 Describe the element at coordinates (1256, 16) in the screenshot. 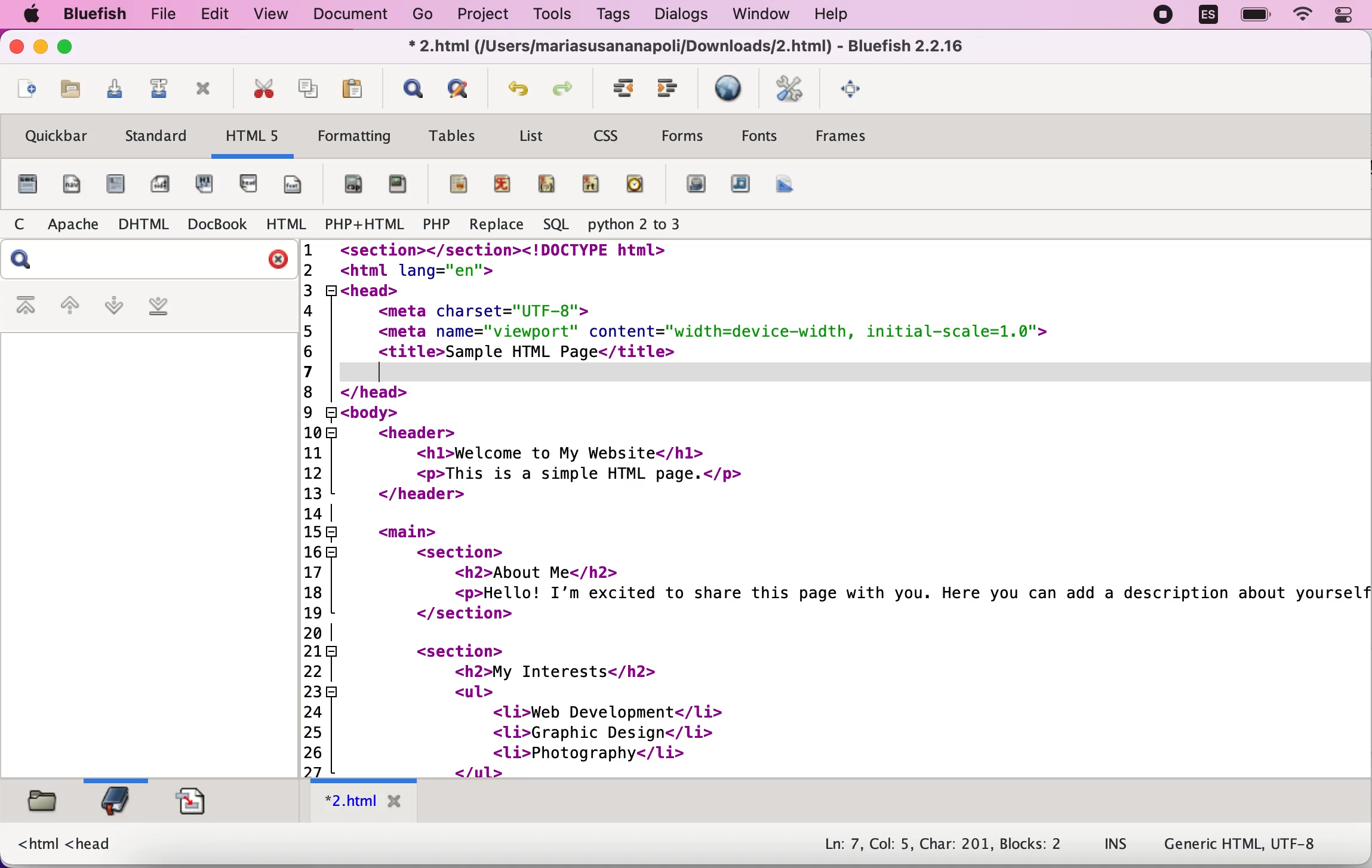

I see `battery` at that location.